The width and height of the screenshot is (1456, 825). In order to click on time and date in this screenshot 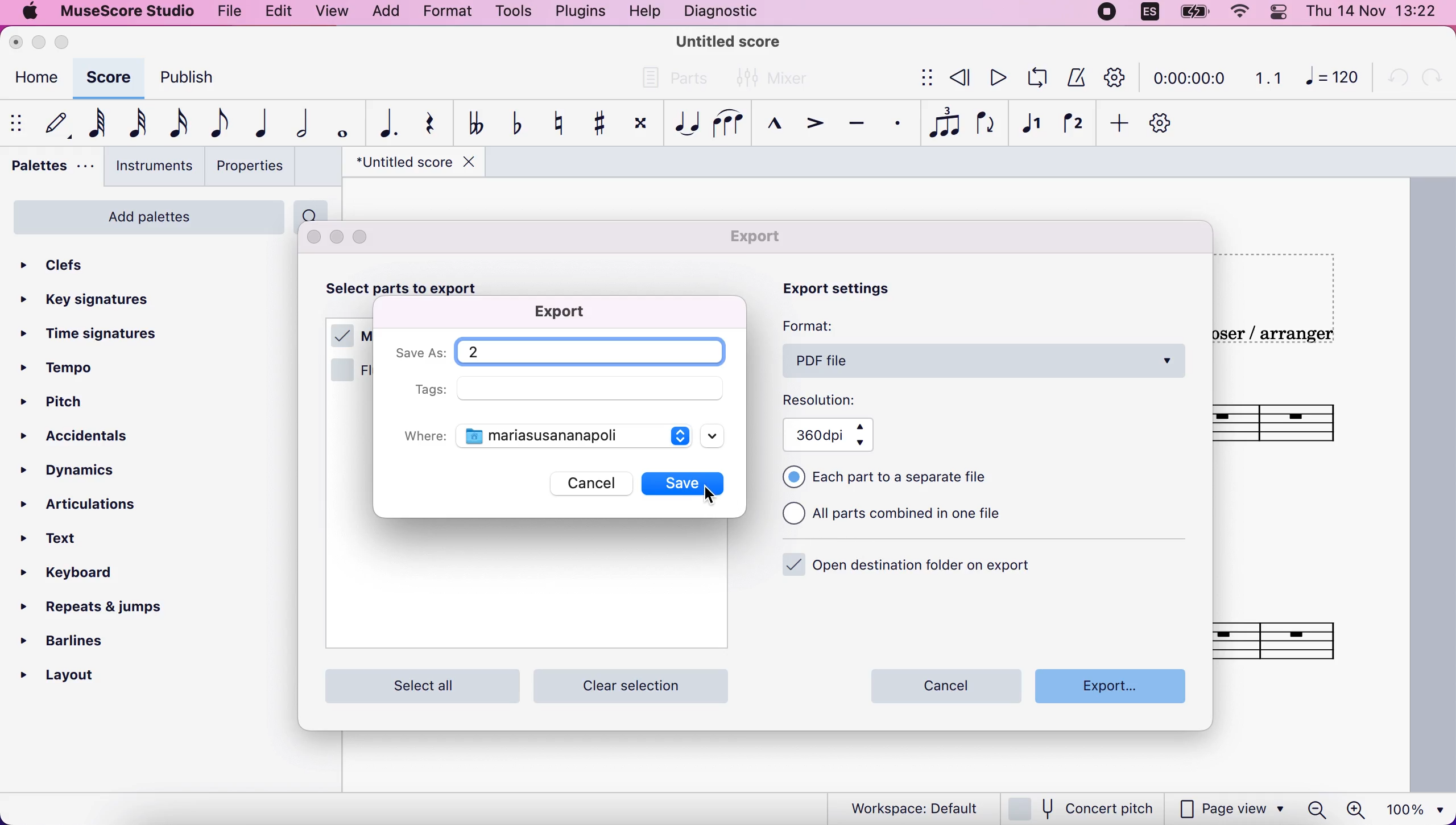, I will do `click(1376, 14)`.